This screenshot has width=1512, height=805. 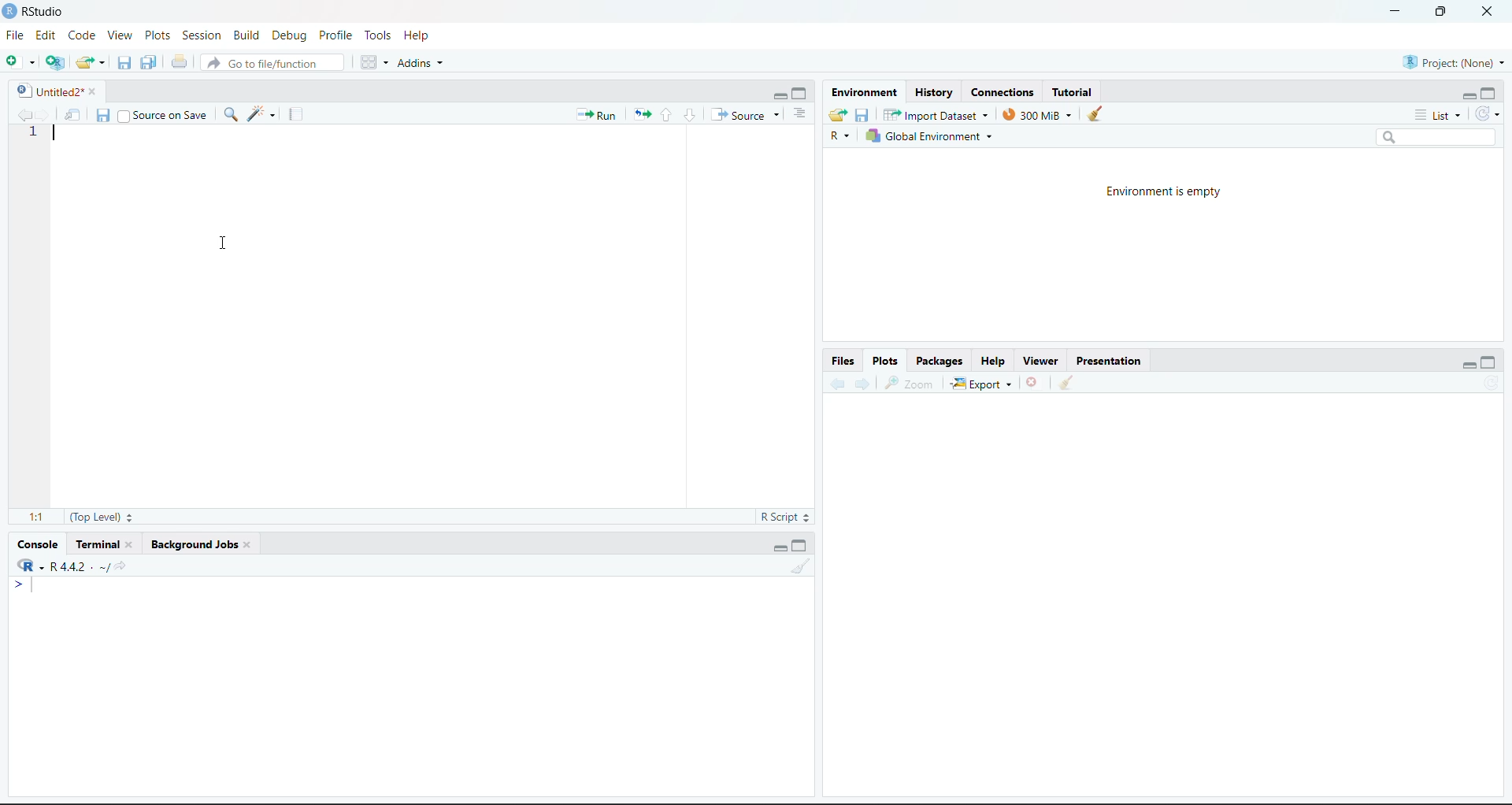 I want to click on 300MB, so click(x=1043, y=114).